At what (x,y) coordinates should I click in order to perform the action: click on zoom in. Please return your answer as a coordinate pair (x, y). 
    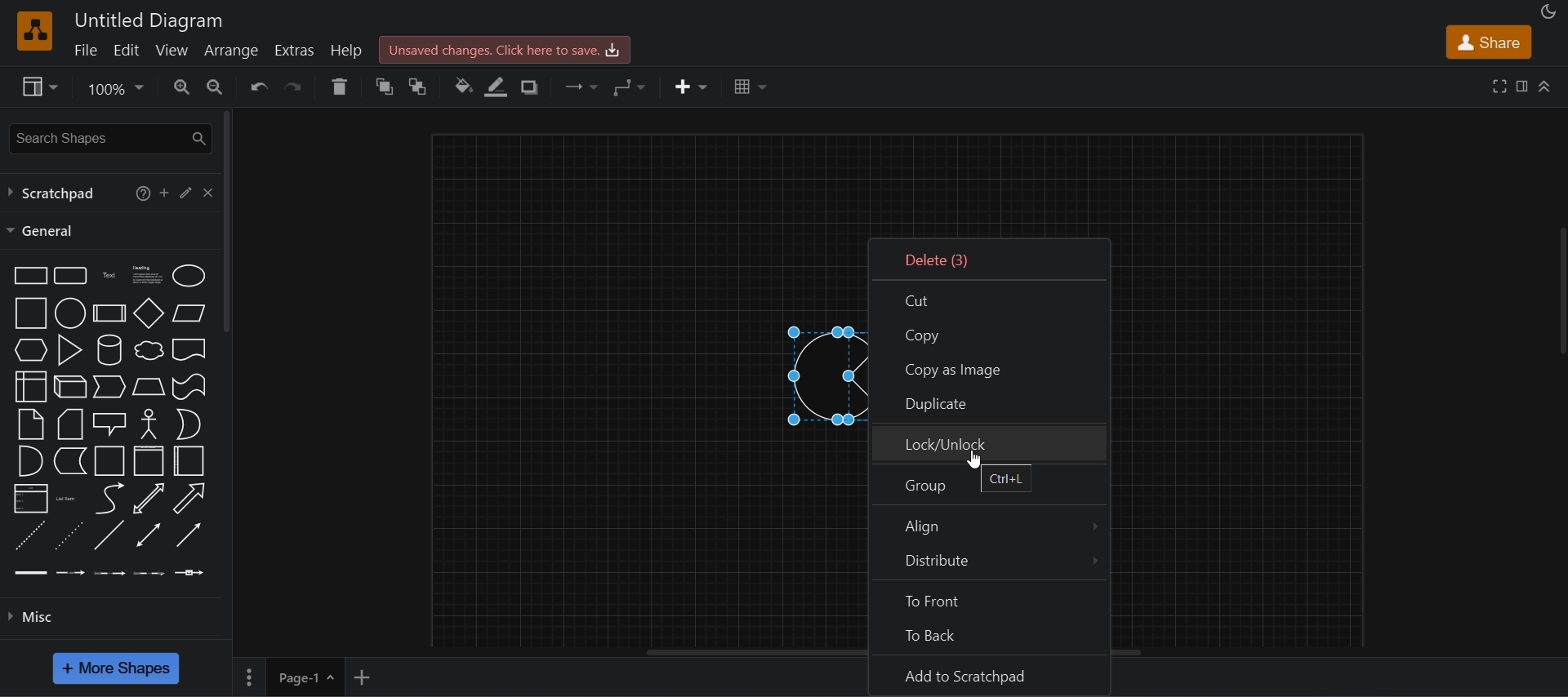
    Looking at the image, I should click on (182, 87).